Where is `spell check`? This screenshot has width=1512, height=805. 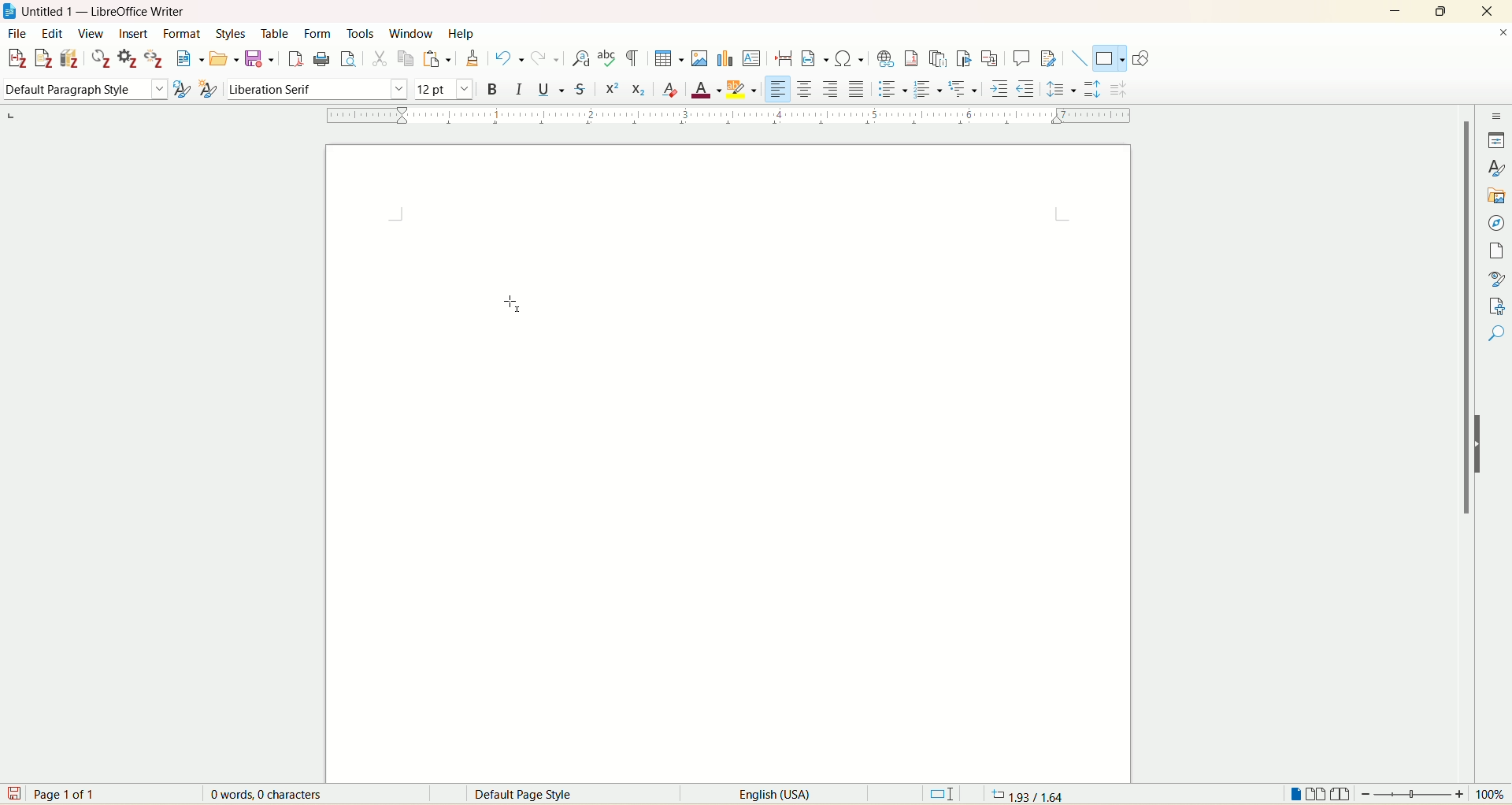 spell check is located at coordinates (608, 59).